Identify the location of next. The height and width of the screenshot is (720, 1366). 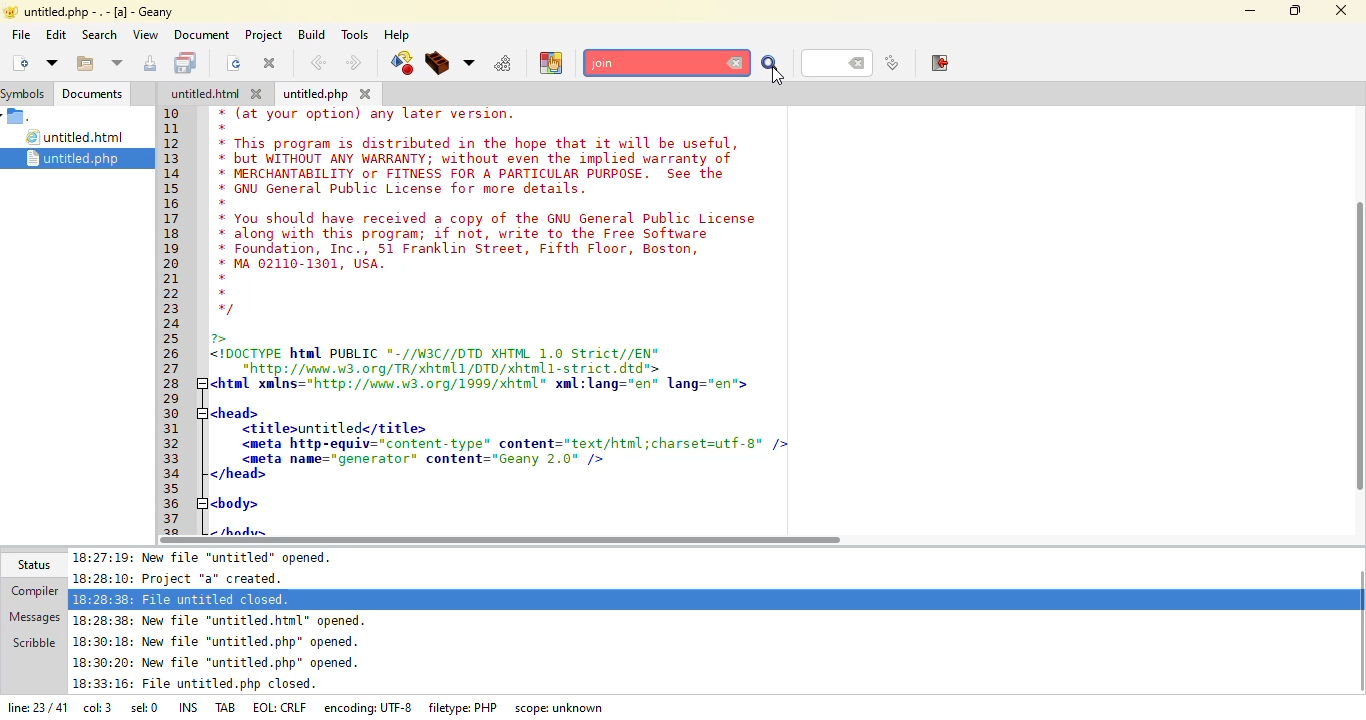
(353, 63).